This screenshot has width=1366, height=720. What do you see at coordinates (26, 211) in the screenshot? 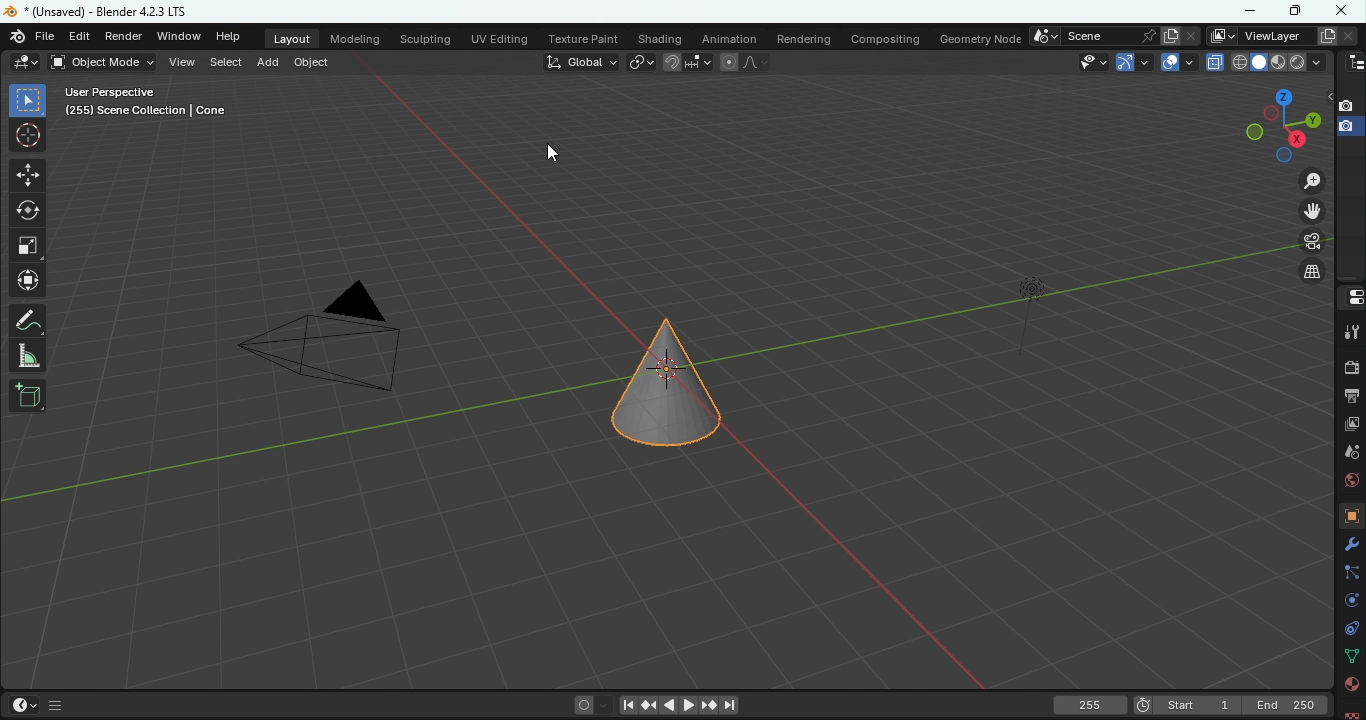
I see `Rotate` at bounding box center [26, 211].